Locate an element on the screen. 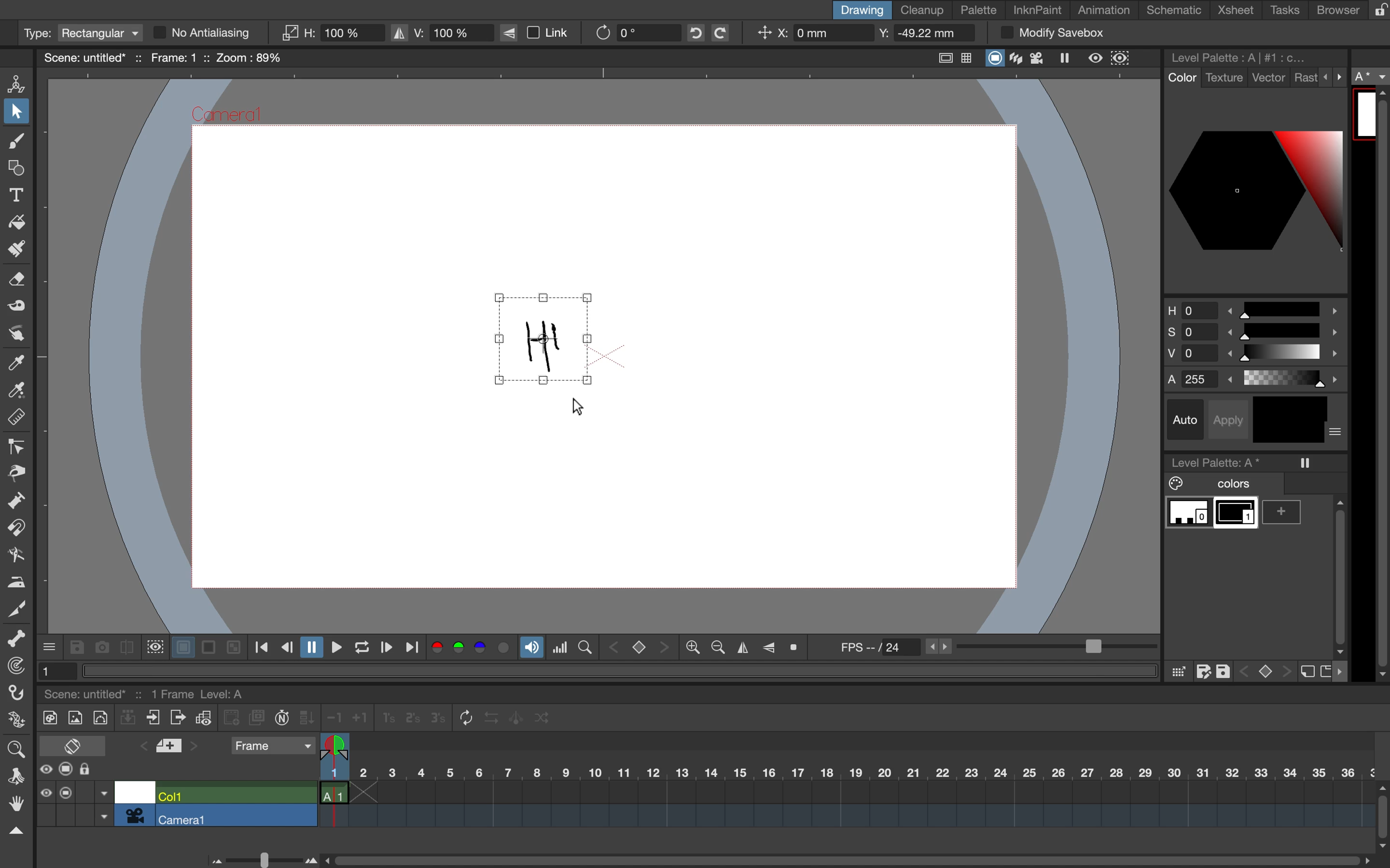 The image size is (1390, 868). 3d view is located at coordinates (1018, 59).